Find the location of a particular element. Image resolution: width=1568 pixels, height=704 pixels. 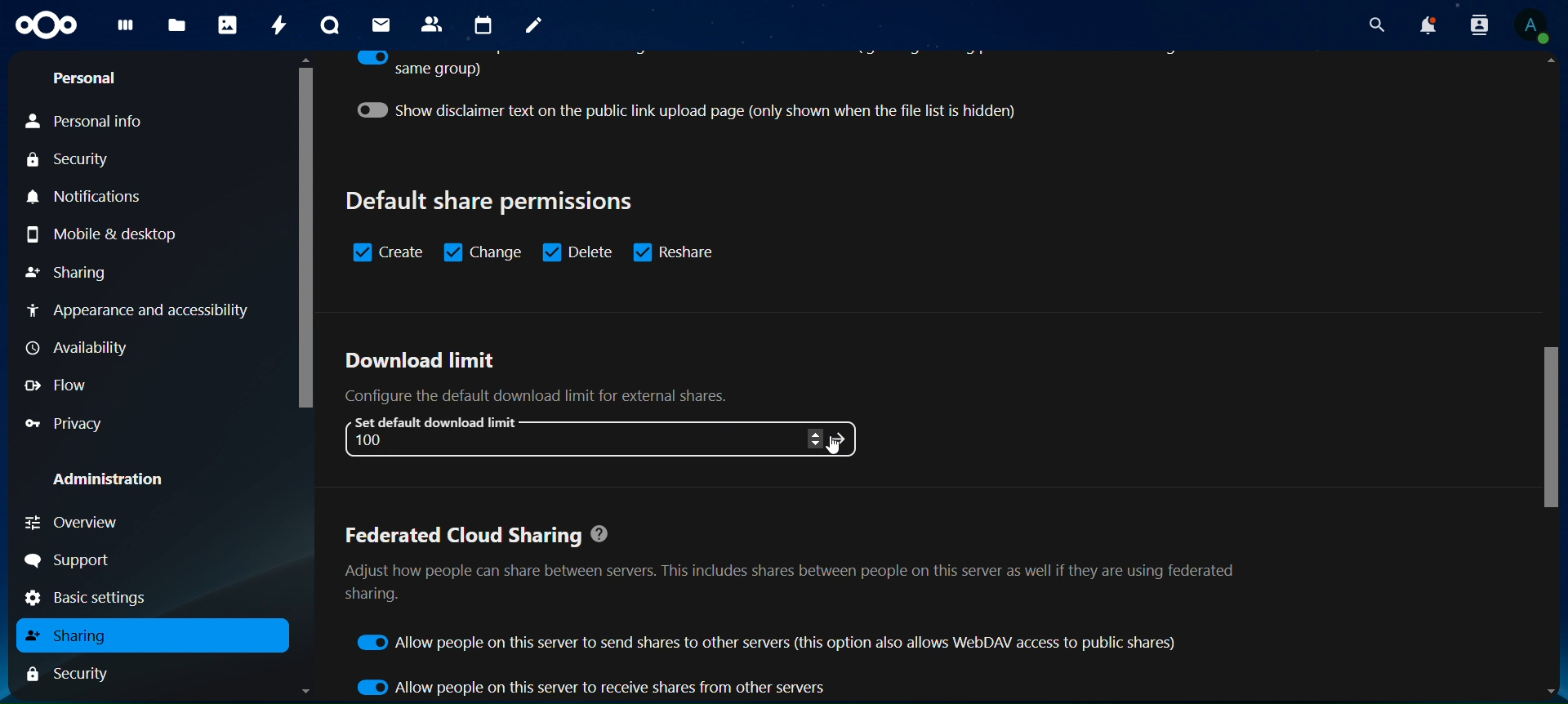

sharing is located at coordinates (69, 274).